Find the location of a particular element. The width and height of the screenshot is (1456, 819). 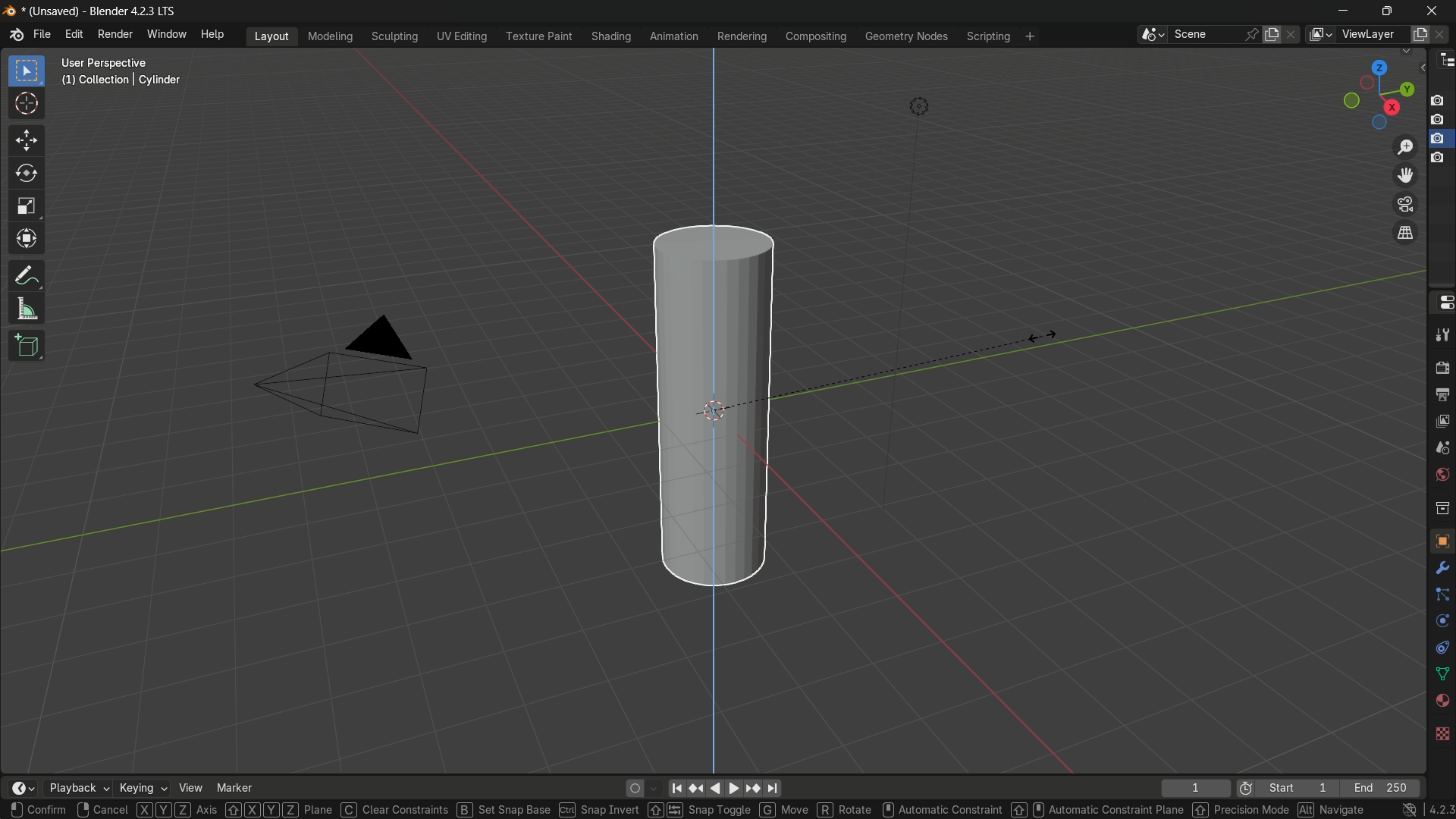

zoom in/out is located at coordinates (1405, 146).